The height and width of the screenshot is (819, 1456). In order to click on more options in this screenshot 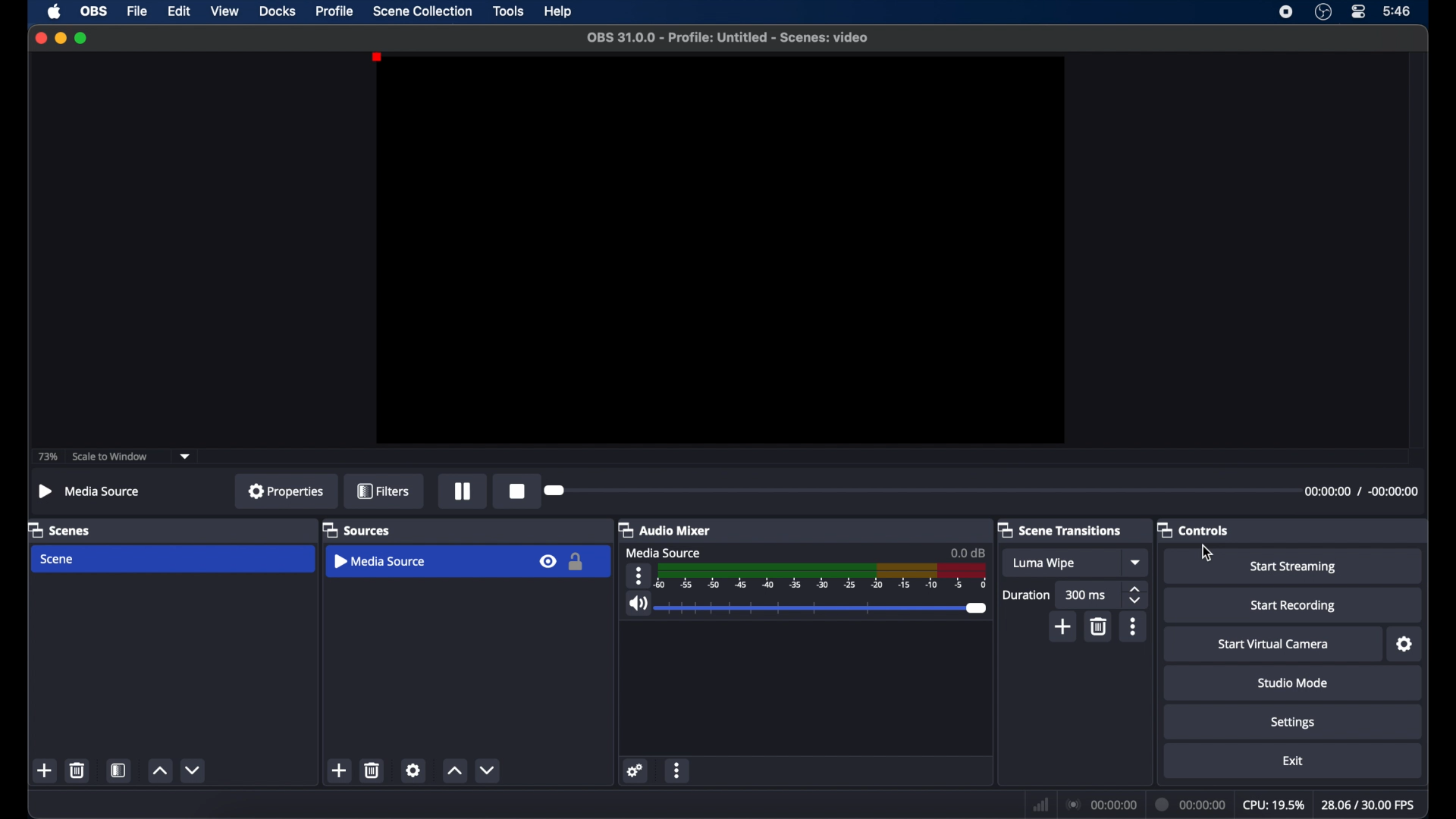, I will do `click(1134, 626)`.